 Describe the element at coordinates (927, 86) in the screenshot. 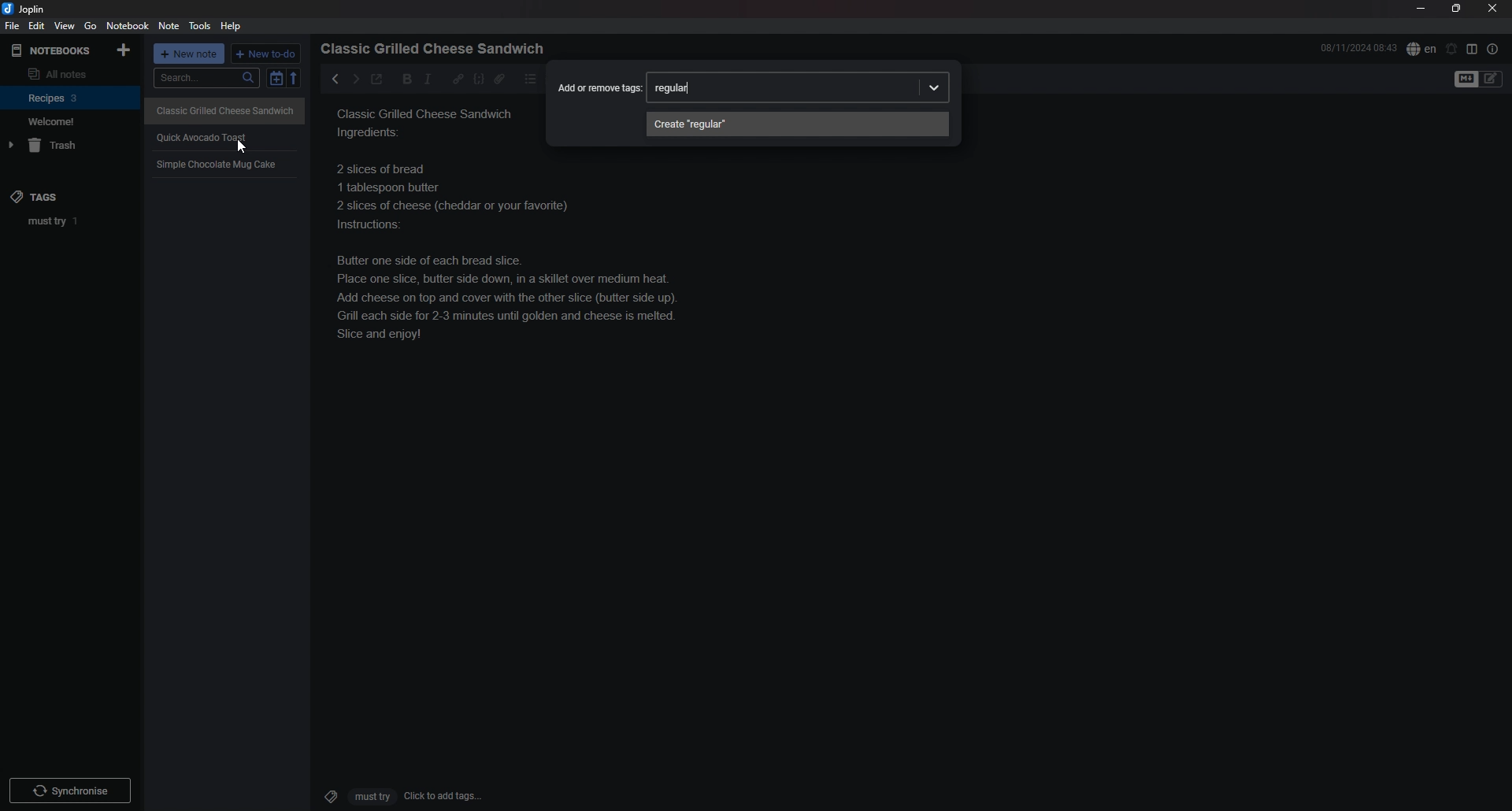

I see `more` at that location.